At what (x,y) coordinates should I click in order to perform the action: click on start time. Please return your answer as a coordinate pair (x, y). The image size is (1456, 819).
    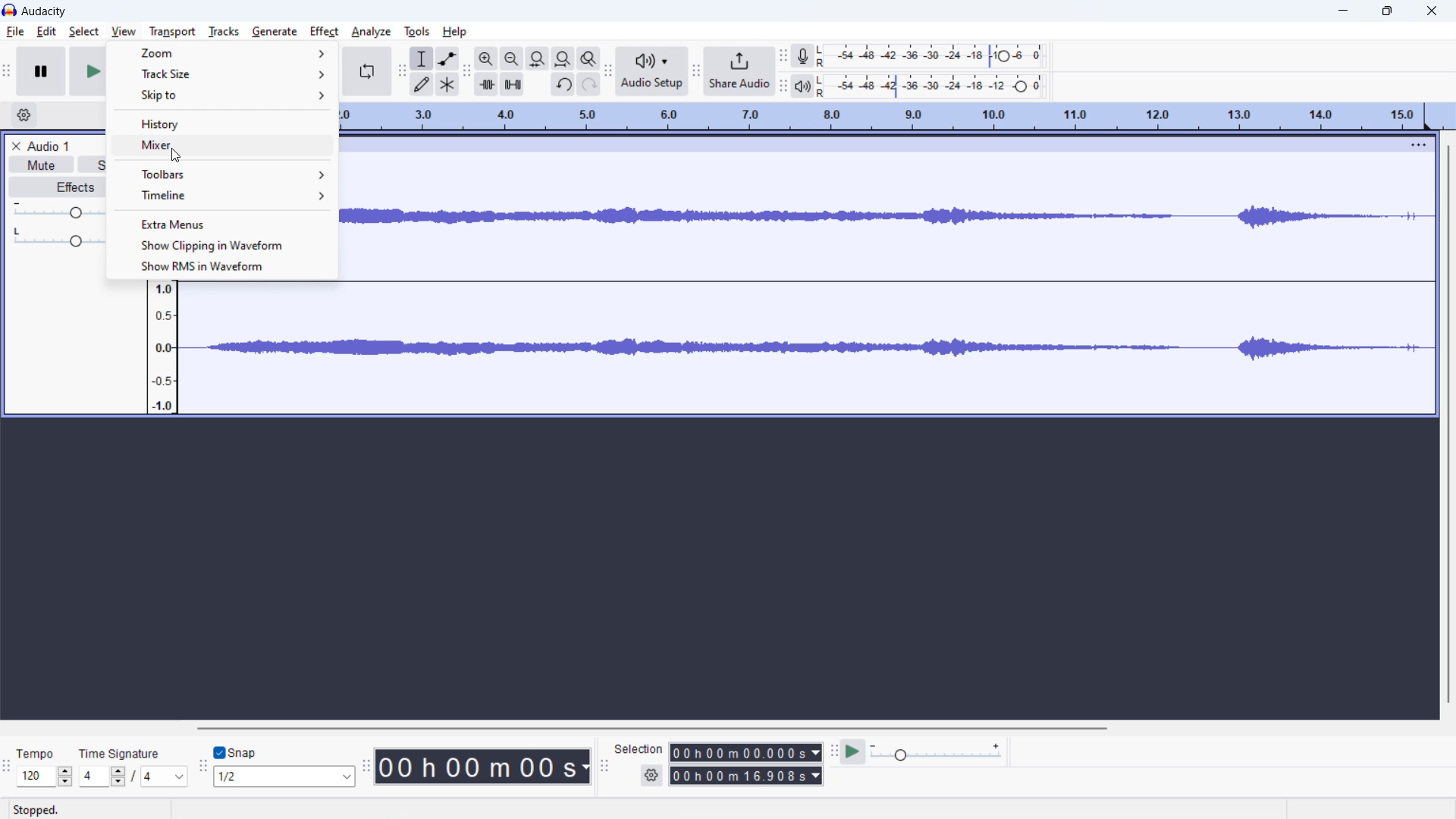
    Looking at the image, I should click on (745, 753).